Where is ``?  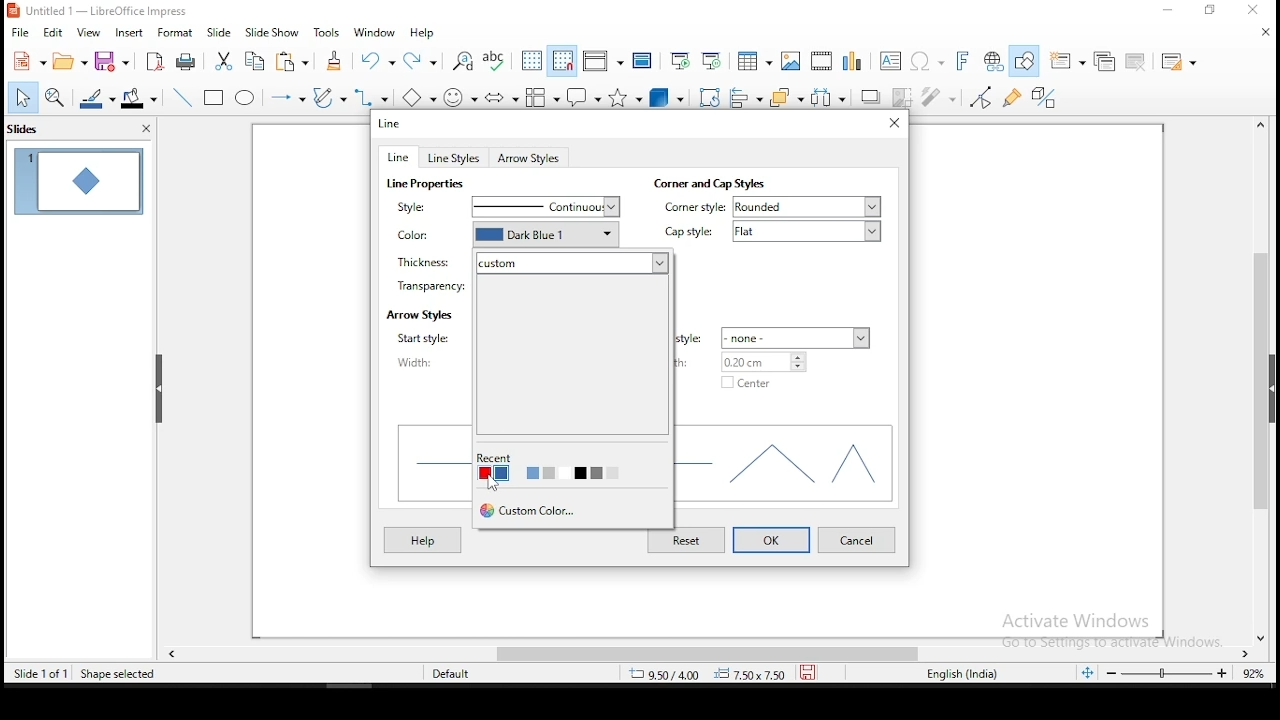  is located at coordinates (928, 62).